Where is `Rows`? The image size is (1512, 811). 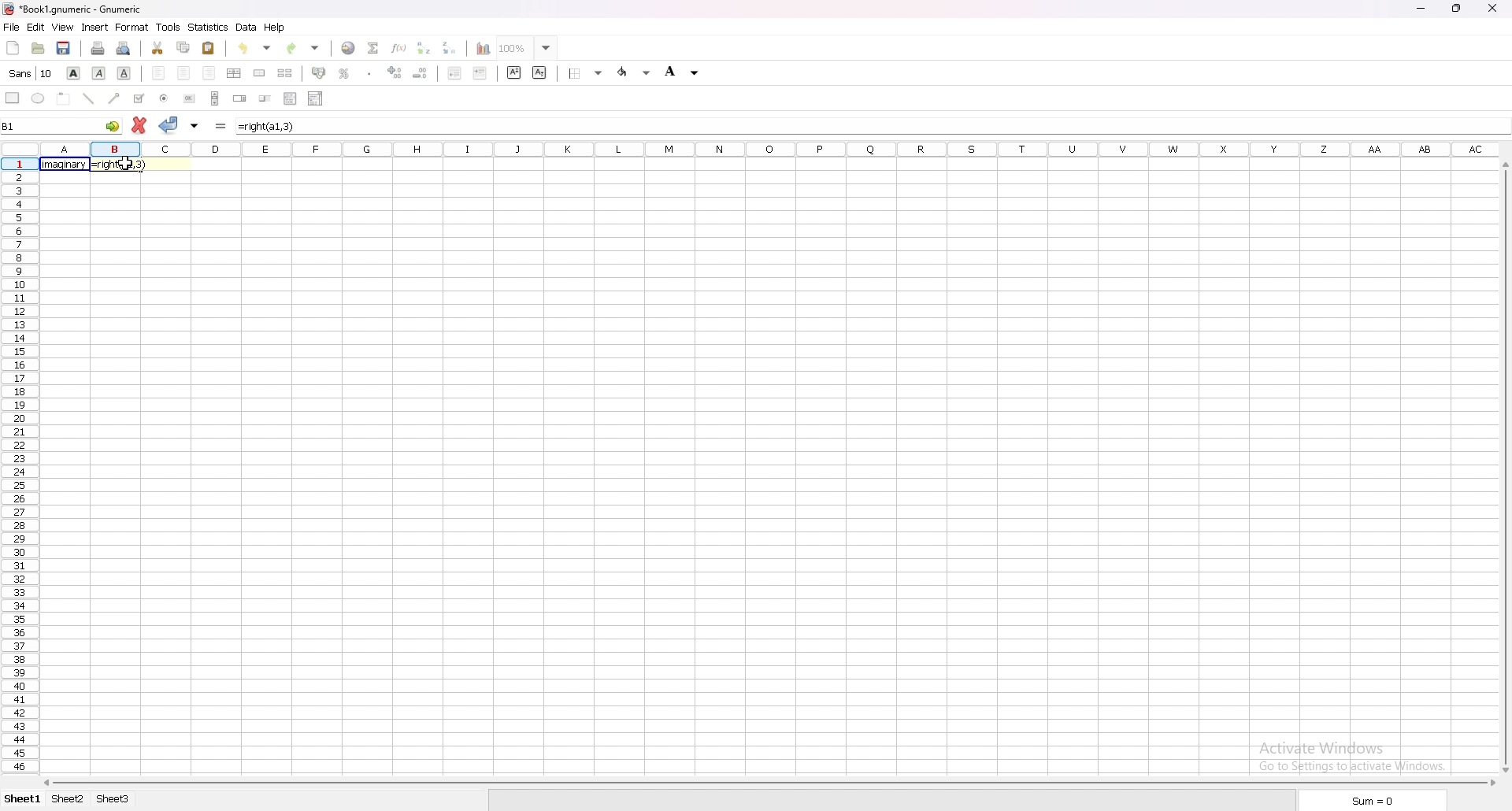 Rows is located at coordinates (815, 150).